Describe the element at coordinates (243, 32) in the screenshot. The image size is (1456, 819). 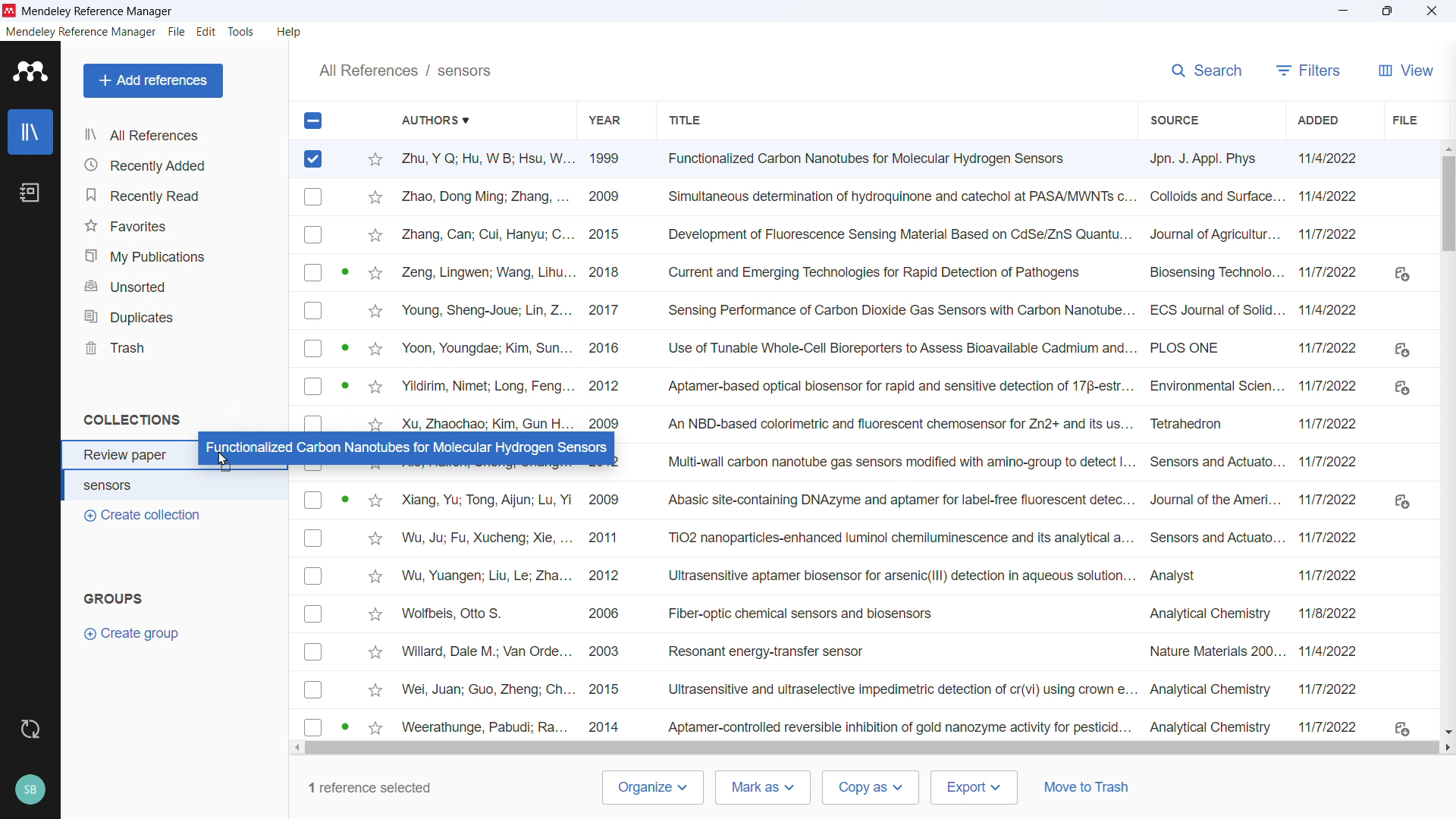
I see `tools ` at that location.